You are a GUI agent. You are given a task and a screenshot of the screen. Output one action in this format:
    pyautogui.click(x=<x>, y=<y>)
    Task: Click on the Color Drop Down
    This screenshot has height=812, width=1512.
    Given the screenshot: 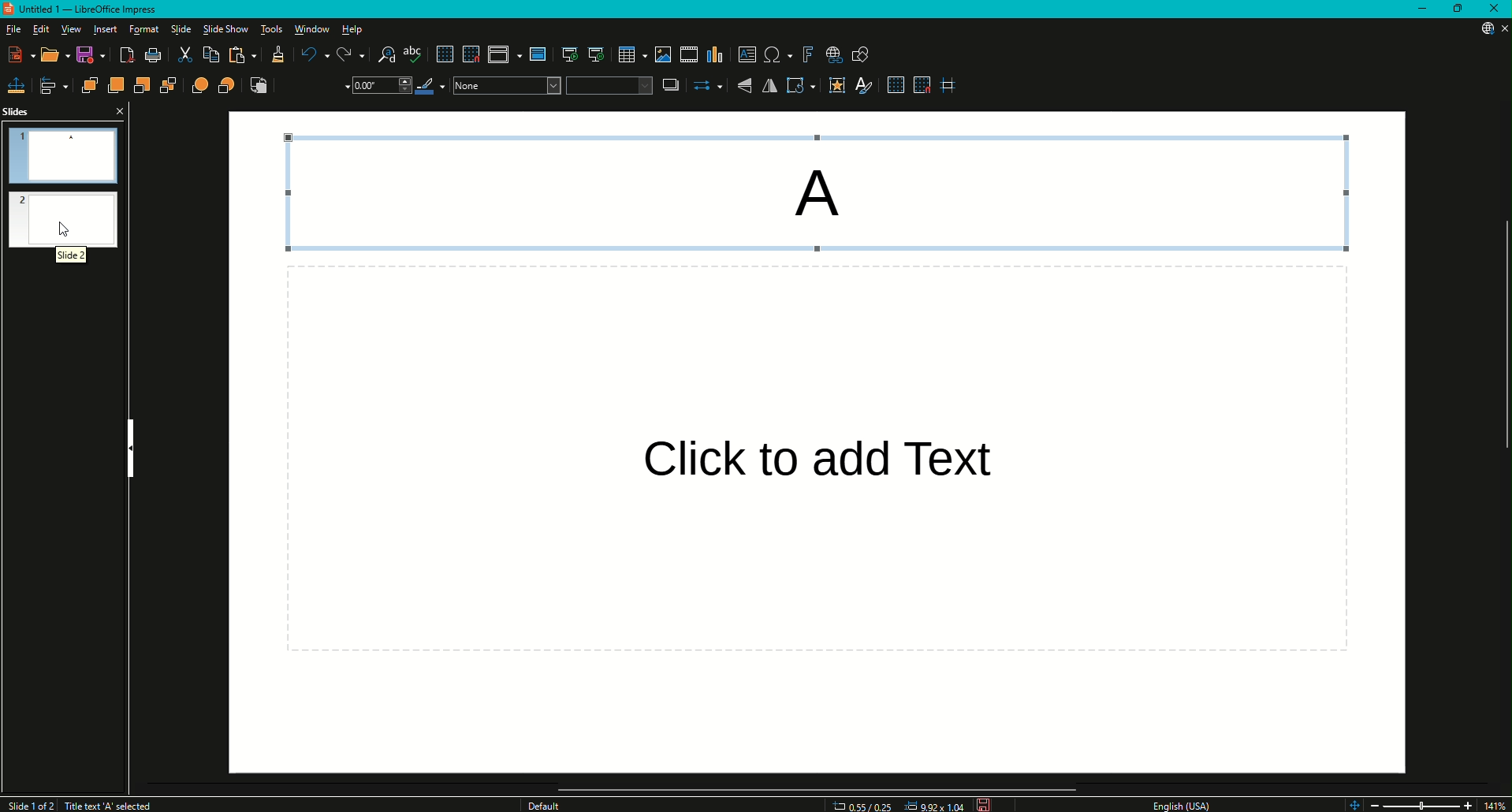 What is the action you would take?
    pyautogui.click(x=504, y=88)
    